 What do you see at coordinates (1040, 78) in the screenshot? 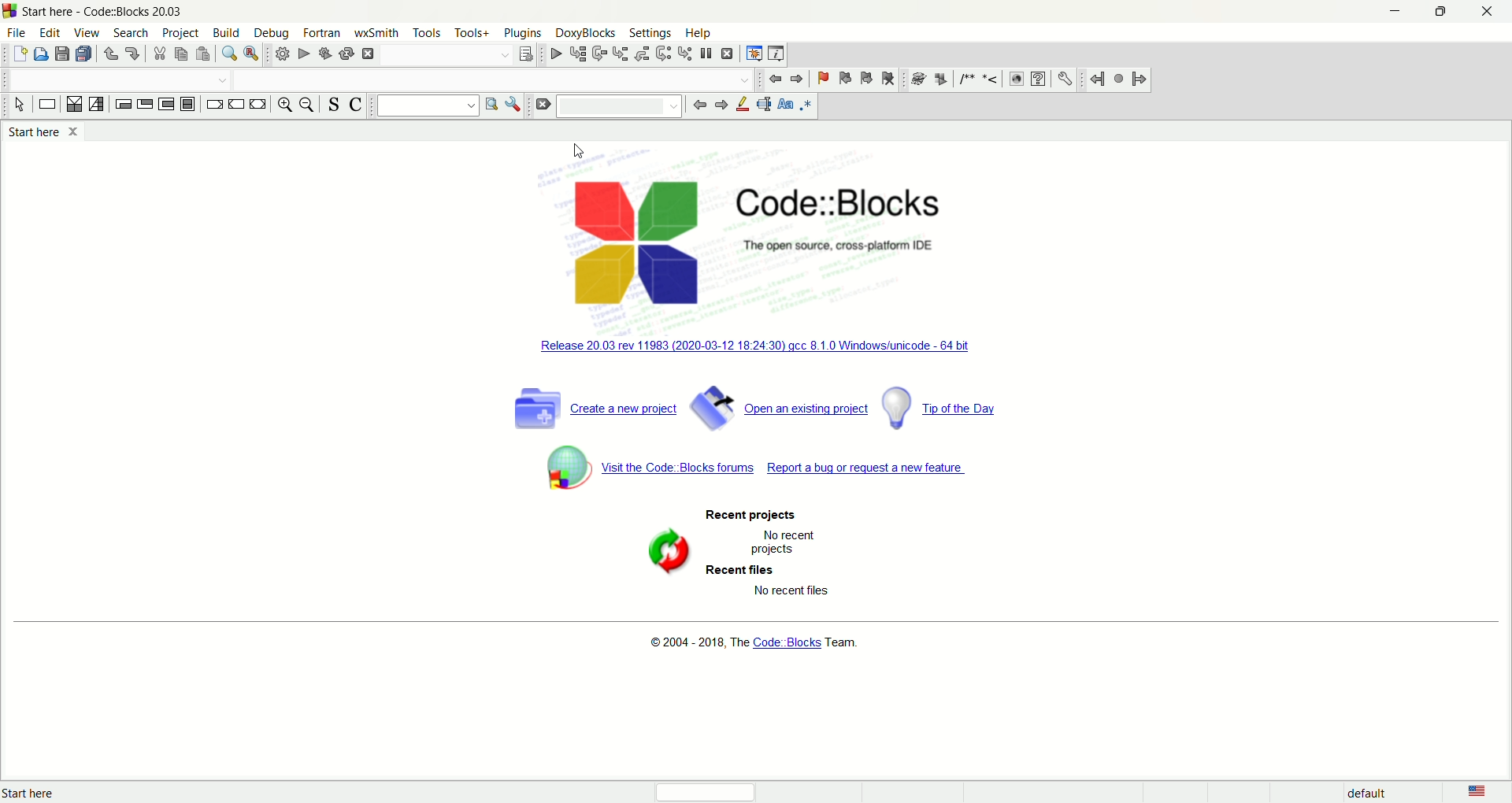
I see `help` at bounding box center [1040, 78].